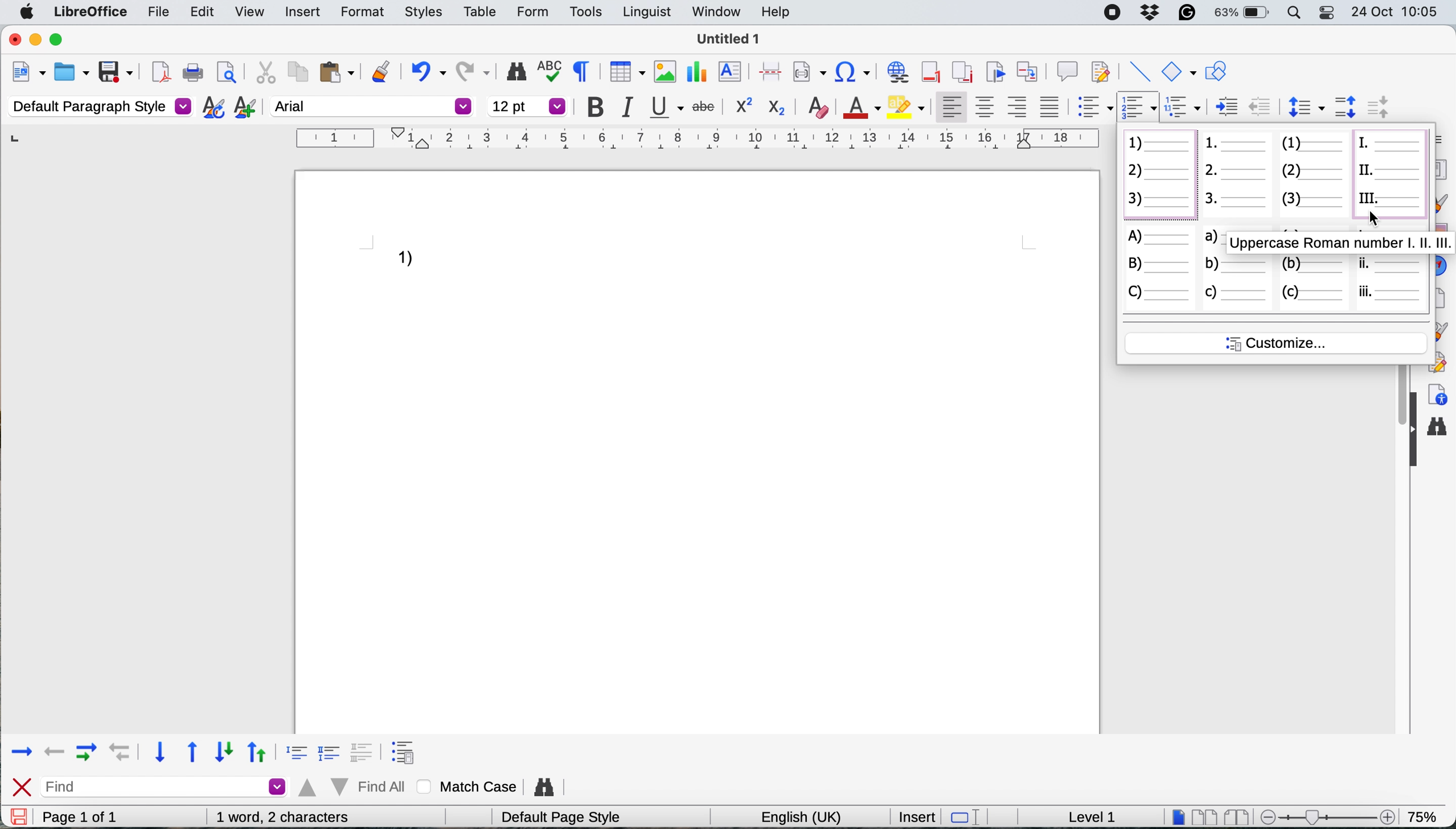  I want to click on insert, so click(917, 816).